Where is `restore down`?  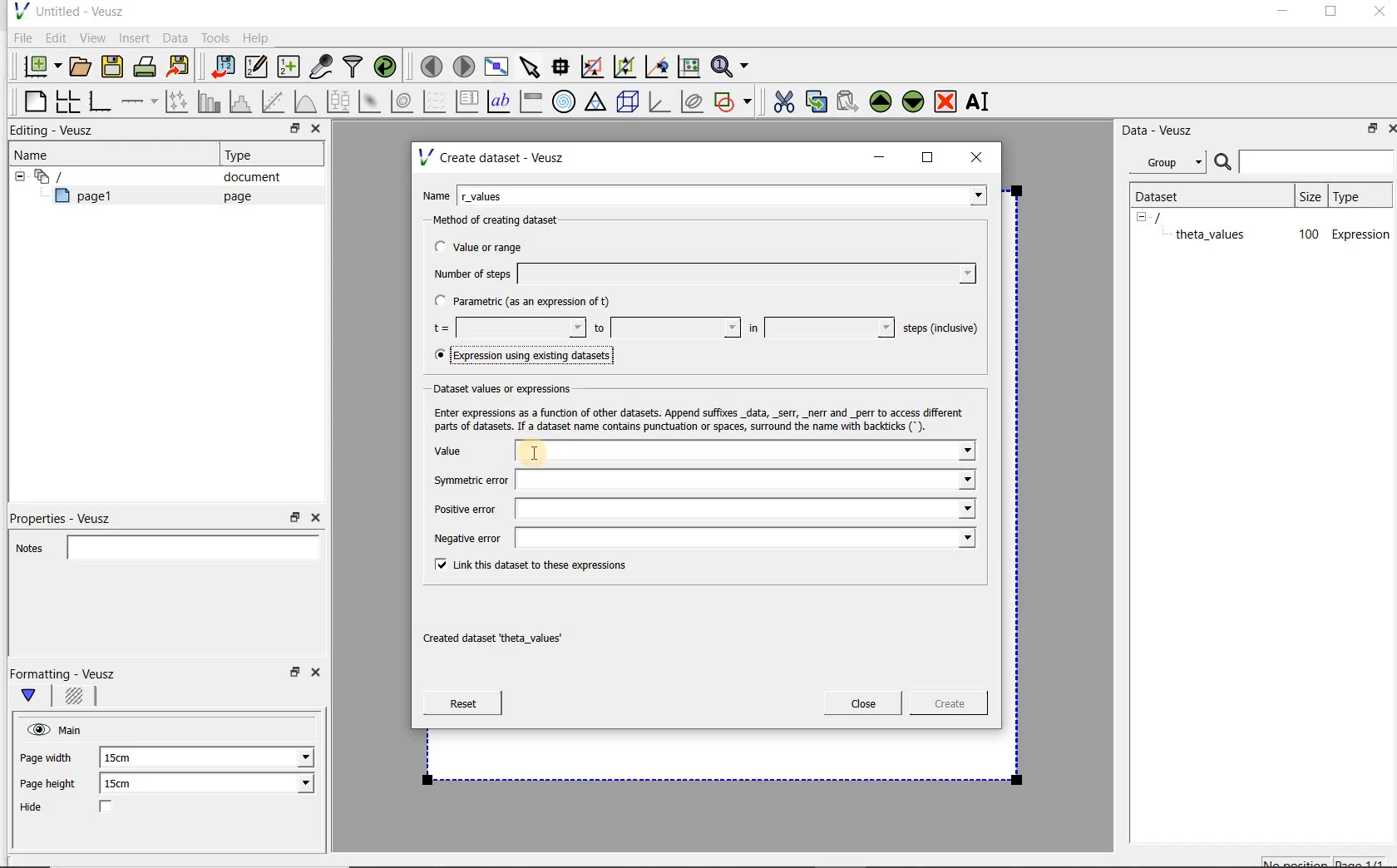 restore down is located at coordinates (290, 131).